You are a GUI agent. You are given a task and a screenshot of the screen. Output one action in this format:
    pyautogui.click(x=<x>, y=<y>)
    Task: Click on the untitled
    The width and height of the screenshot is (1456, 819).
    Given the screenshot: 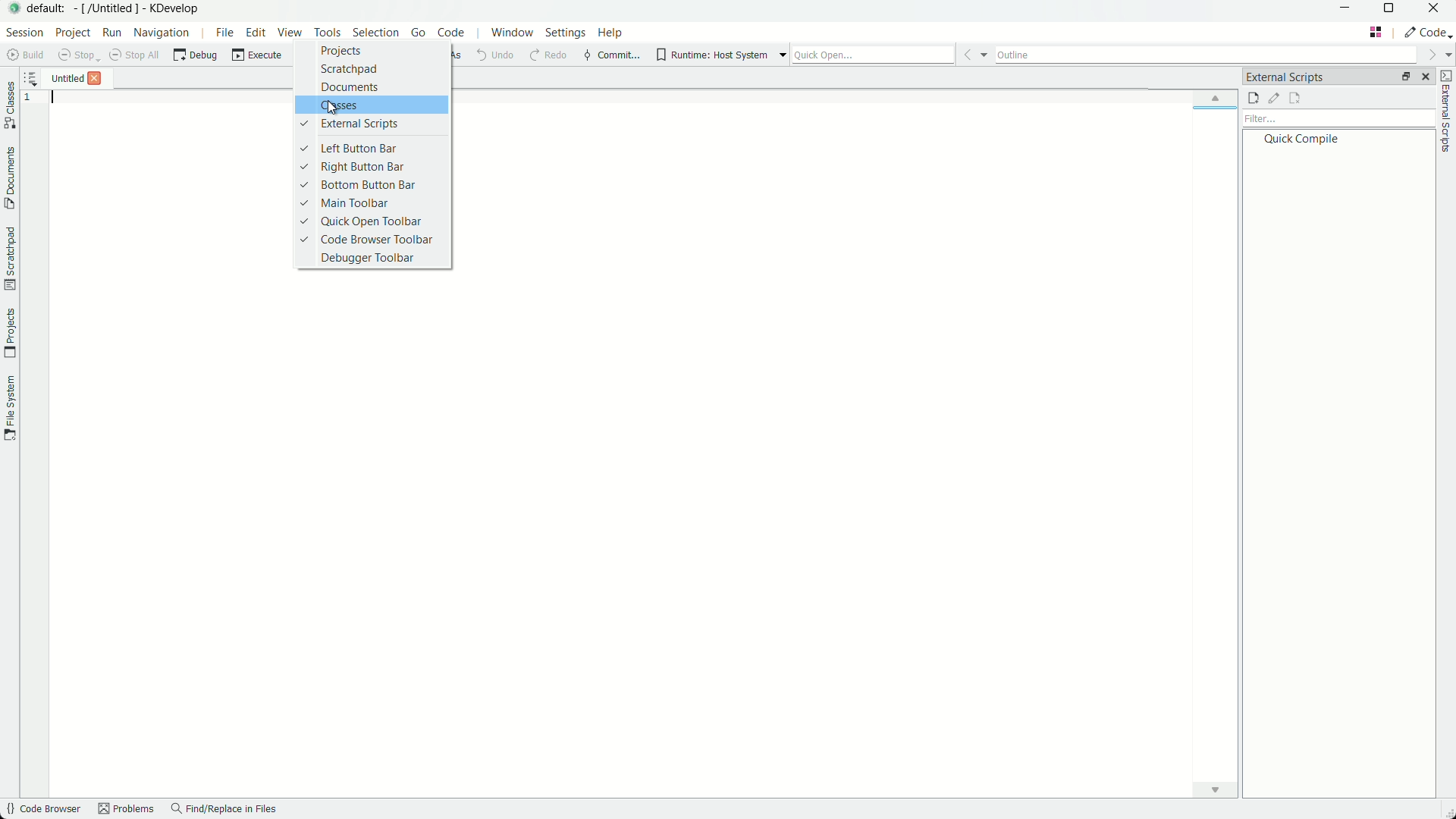 What is the action you would take?
    pyautogui.click(x=64, y=78)
    